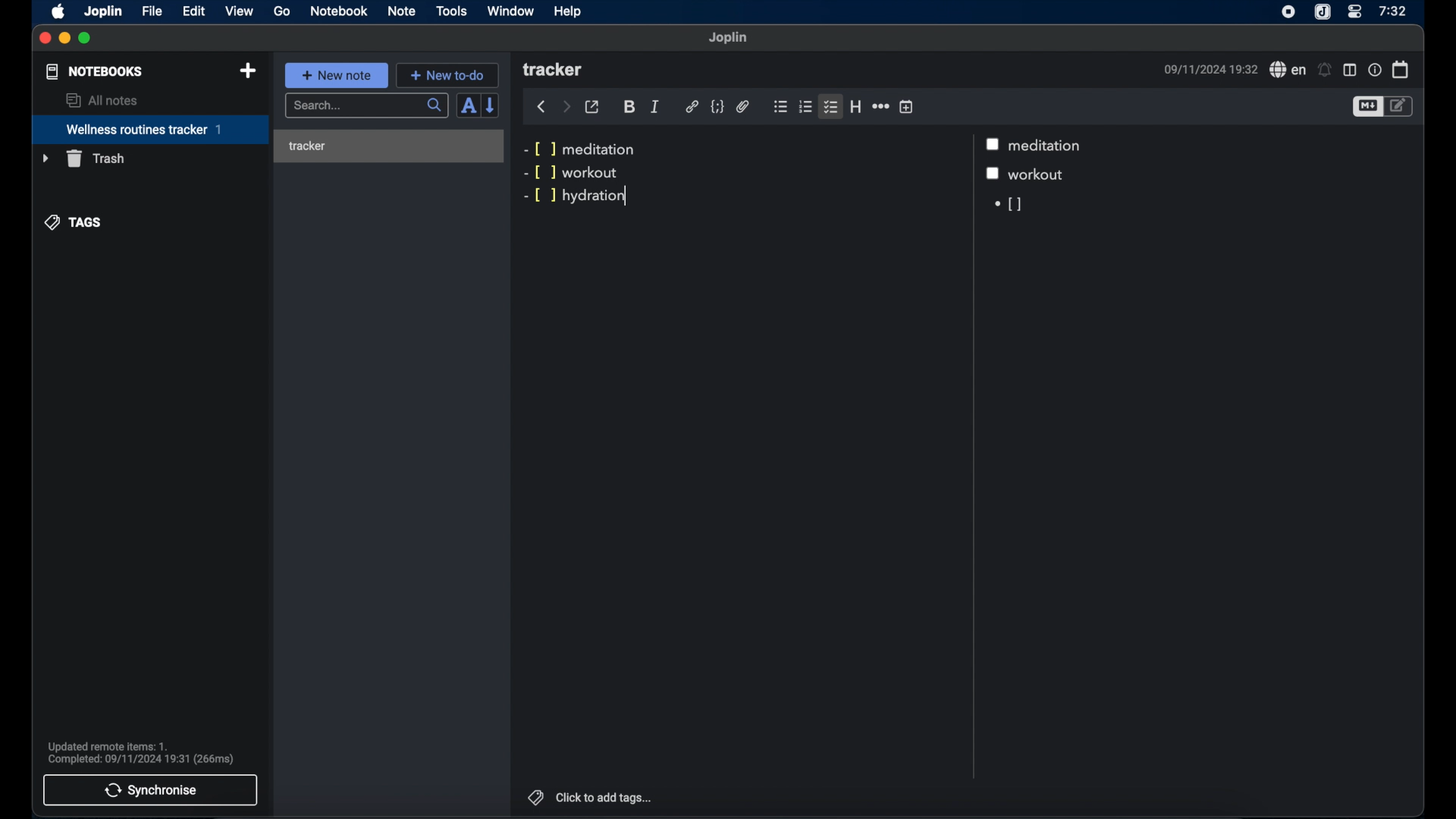 This screenshot has height=819, width=1456. What do you see at coordinates (605, 797) in the screenshot?
I see `click to add tags` at bounding box center [605, 797].